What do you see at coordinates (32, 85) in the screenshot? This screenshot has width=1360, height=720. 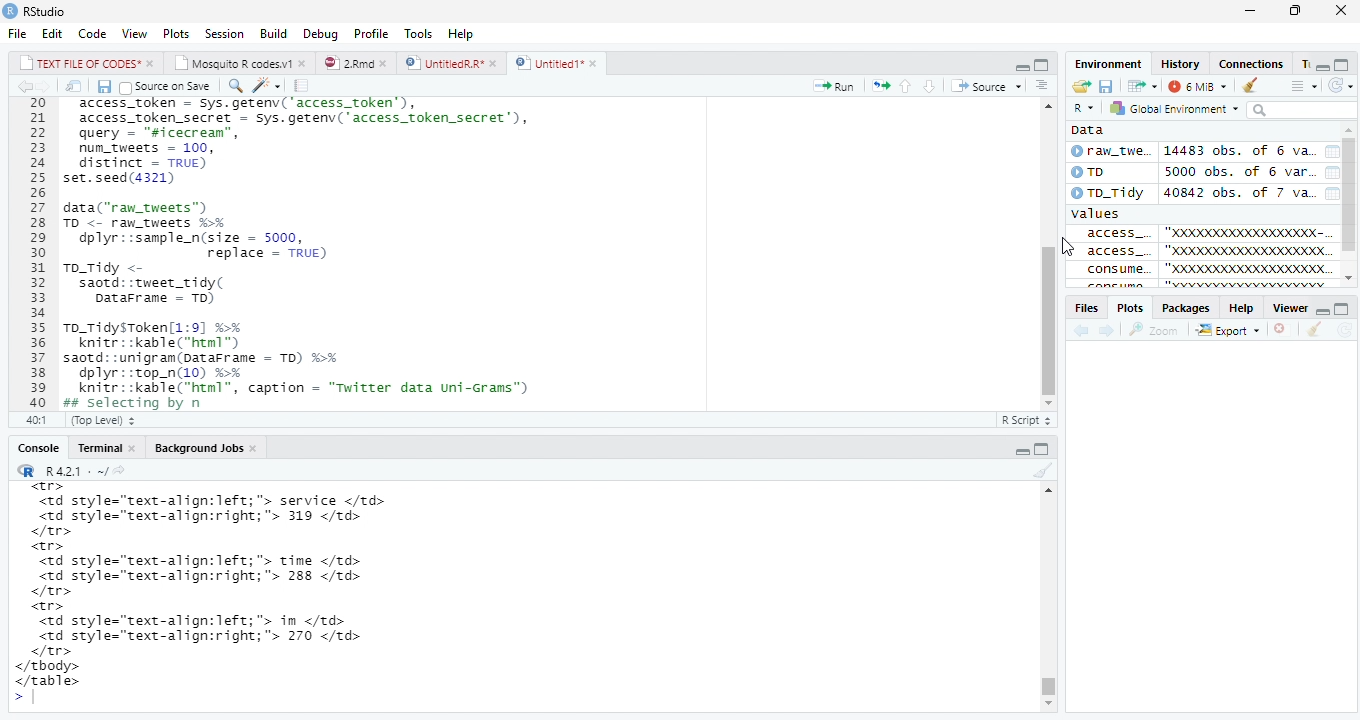 I see `go bckward` at bounding box center [32, 85].